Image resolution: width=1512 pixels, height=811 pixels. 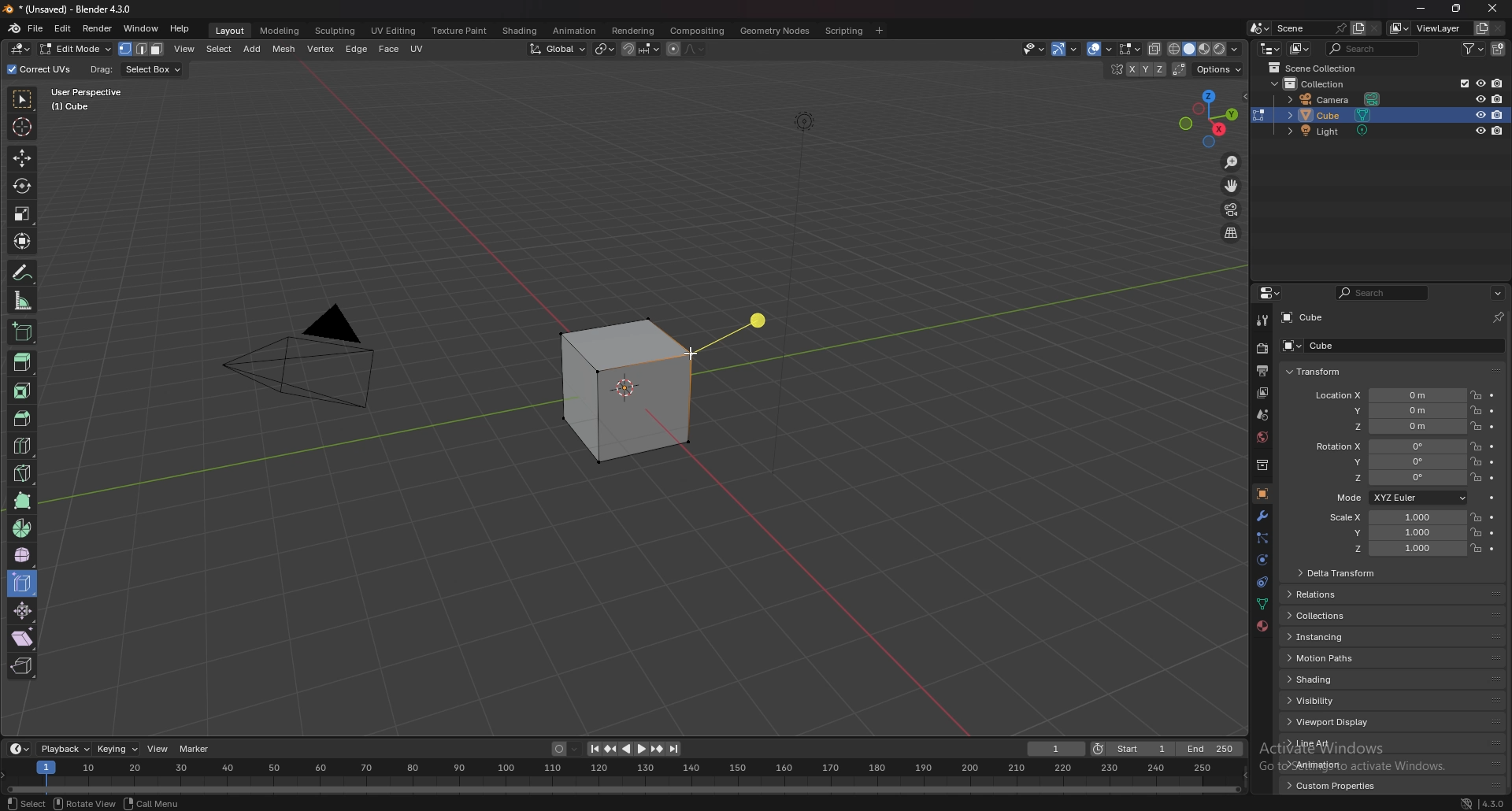 What do you see at coordinates (1496, 317) in the screenshot?
I see `pin` at bounding box center [1496, 317].